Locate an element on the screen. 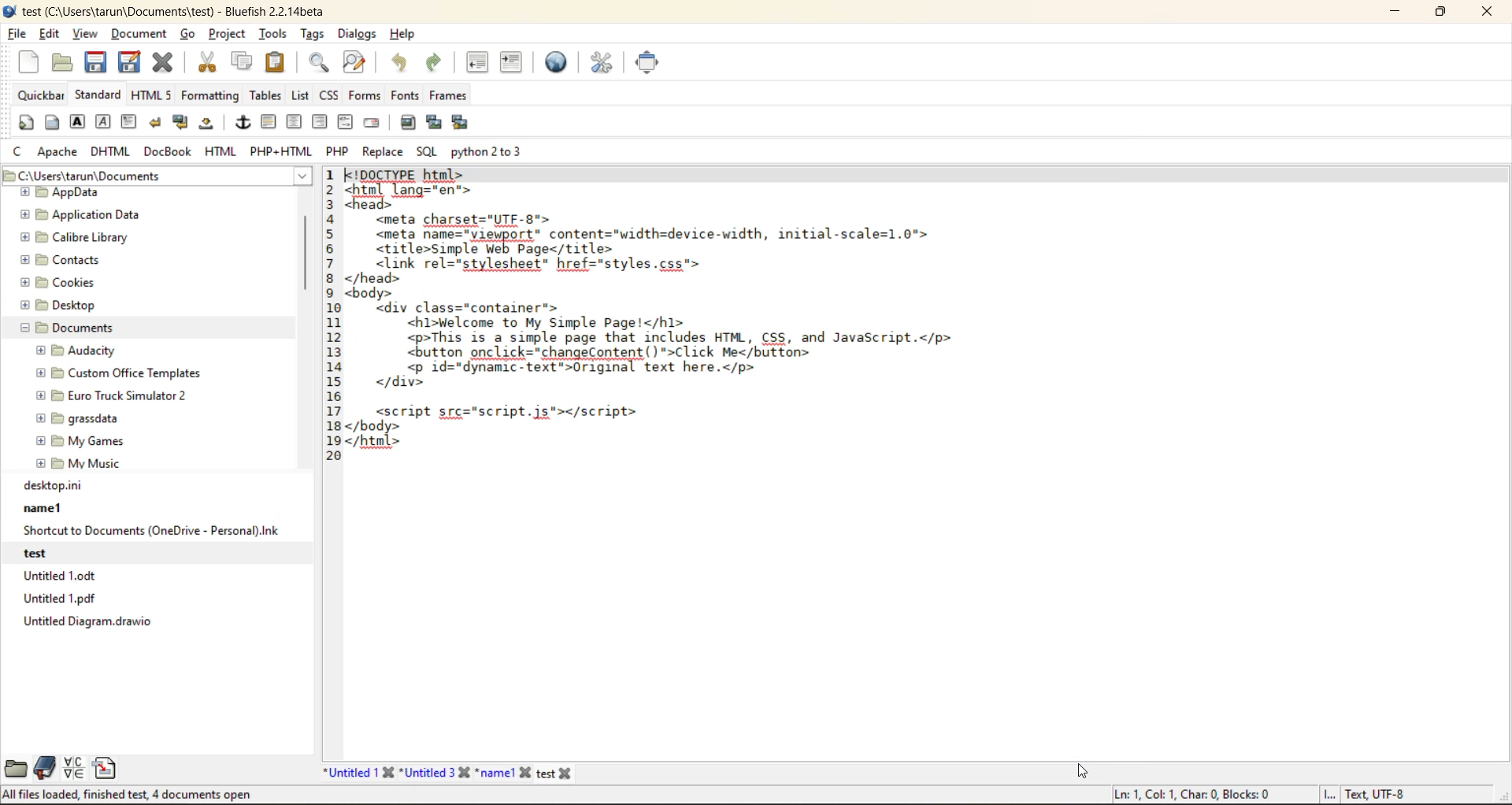 The height and width of the screenshot is (805, 1512). php is located at coordinates (340, 151).